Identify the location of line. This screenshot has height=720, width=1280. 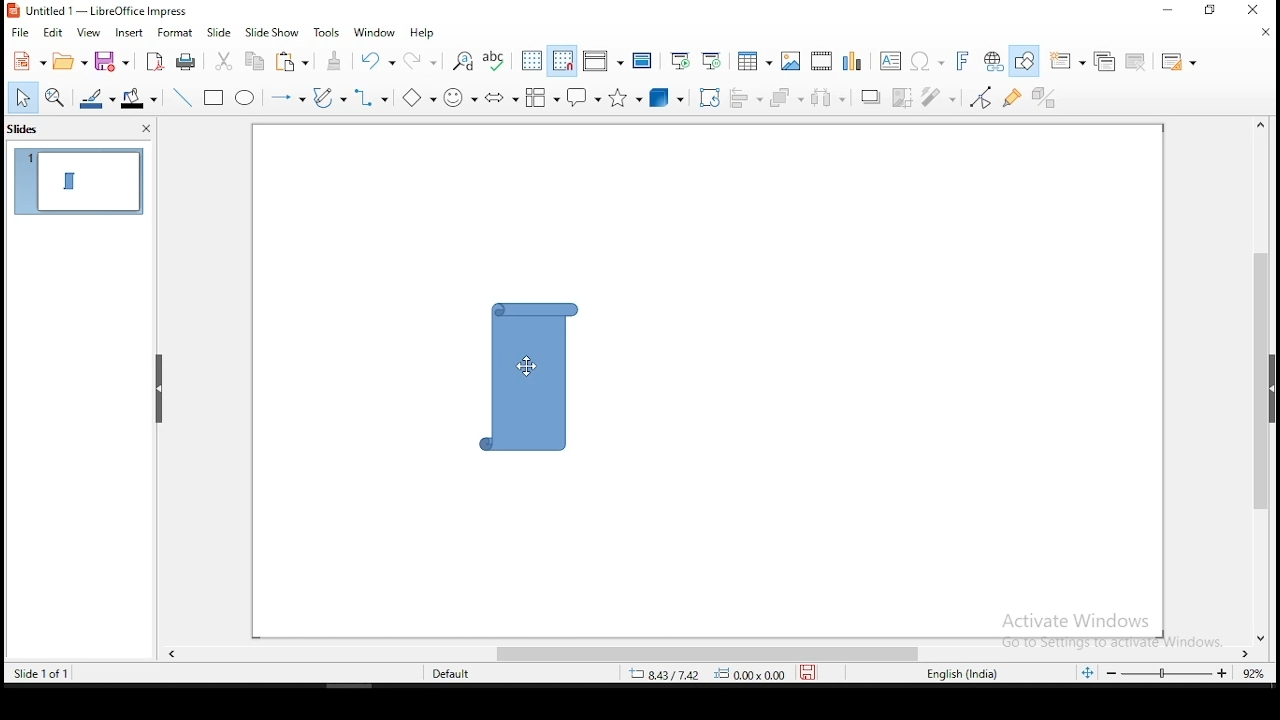
(181, 98).